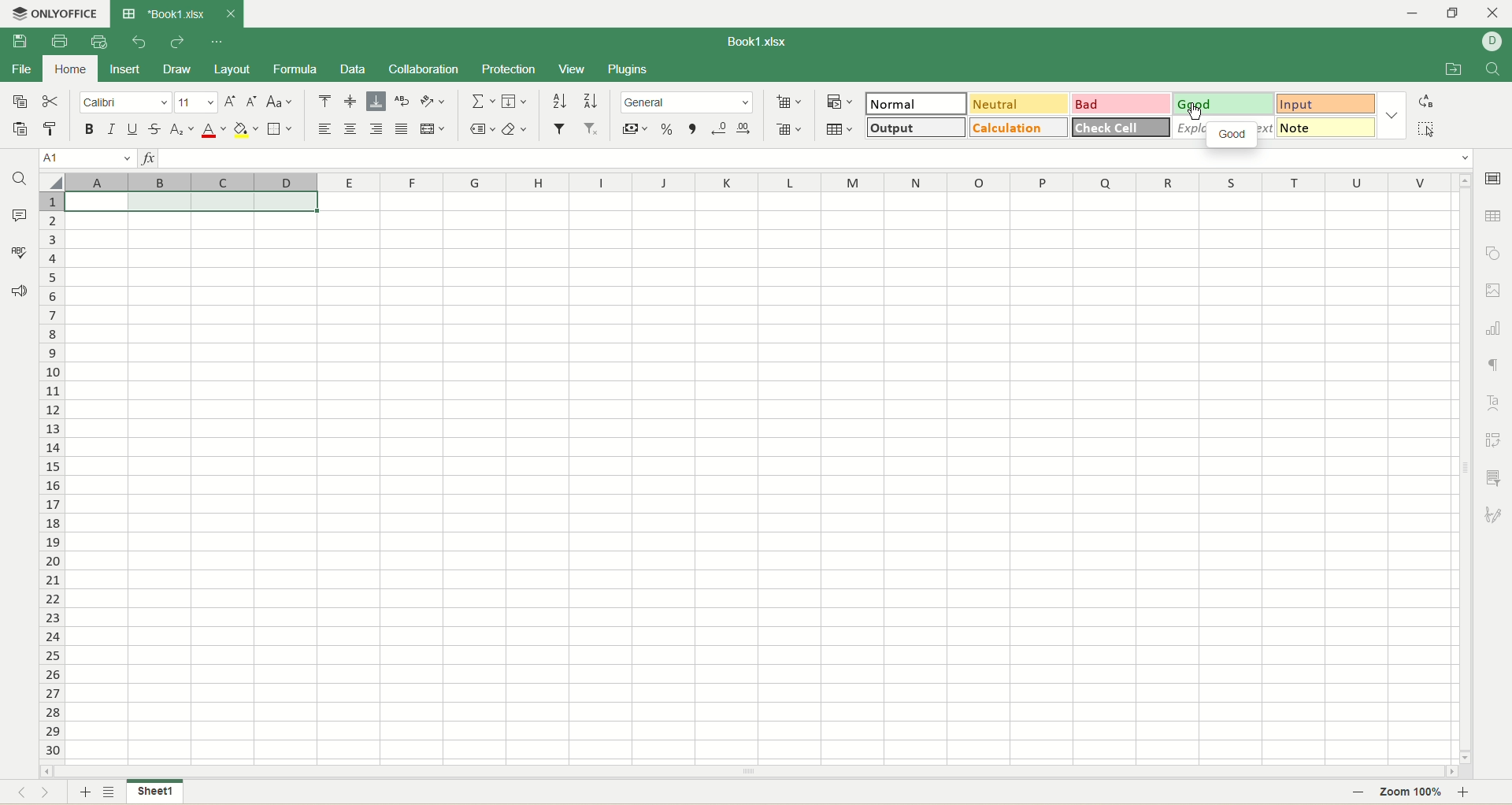 The height and width of the screenshot is (805, 1512). I want to click on username, so click(1492, 42).